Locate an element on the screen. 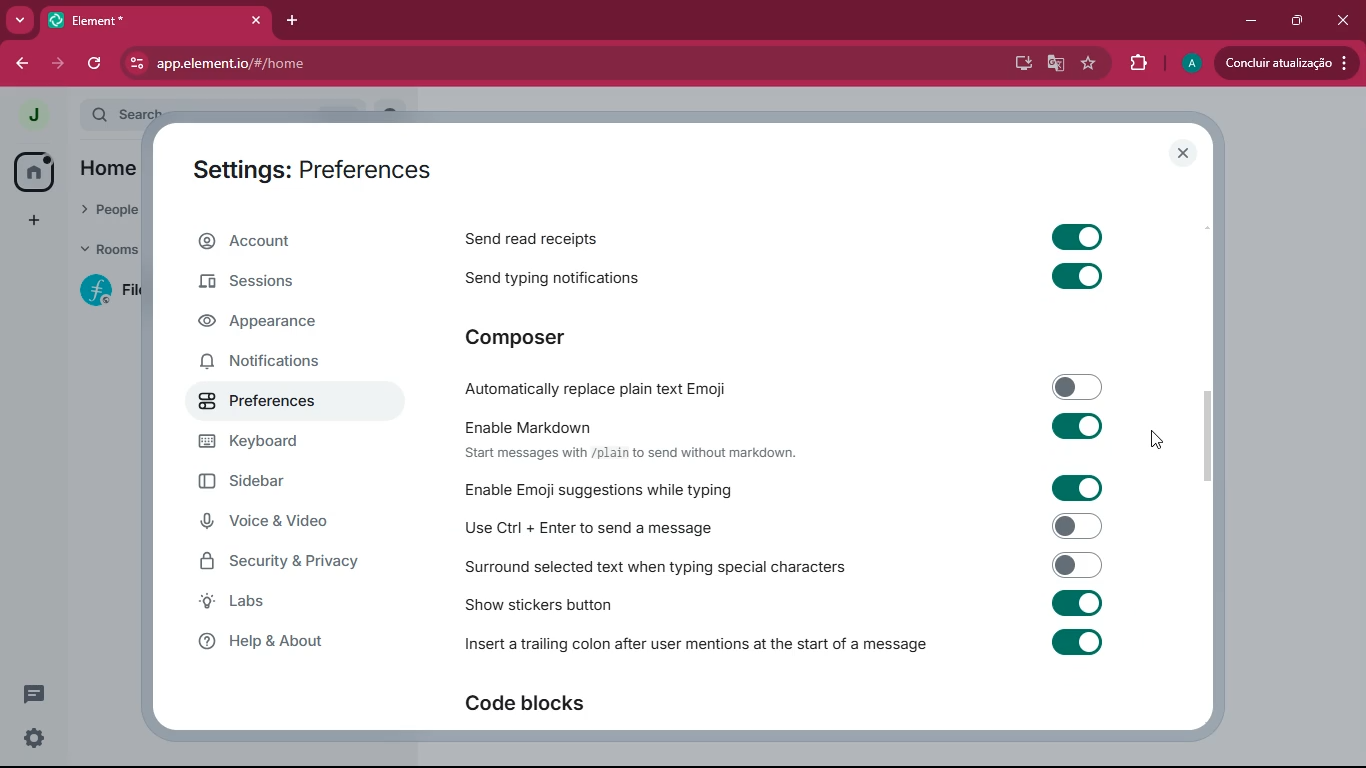  labs is located at coordinates (283, 602).